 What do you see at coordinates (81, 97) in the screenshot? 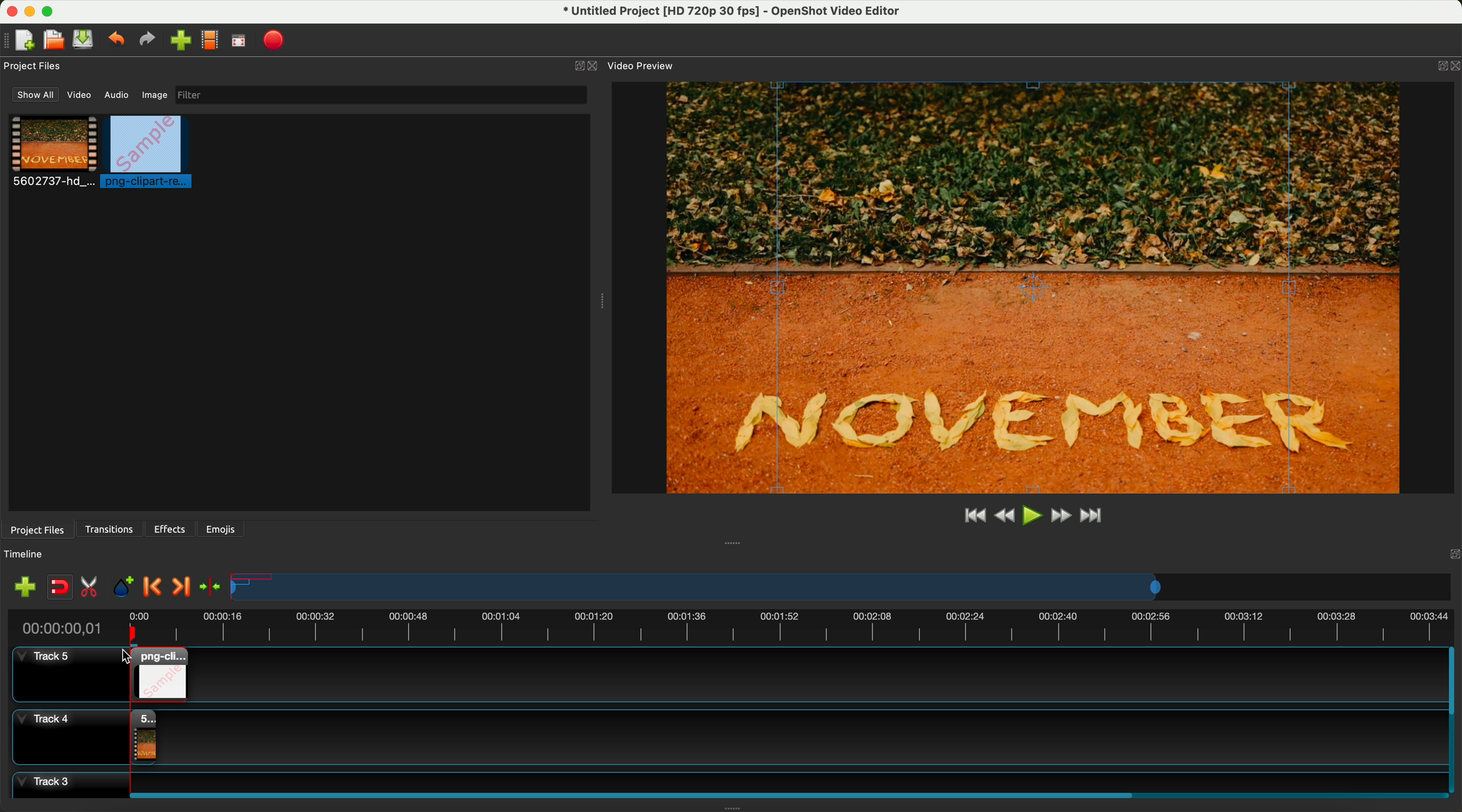
I see `video` at bounding box center [81, 97].